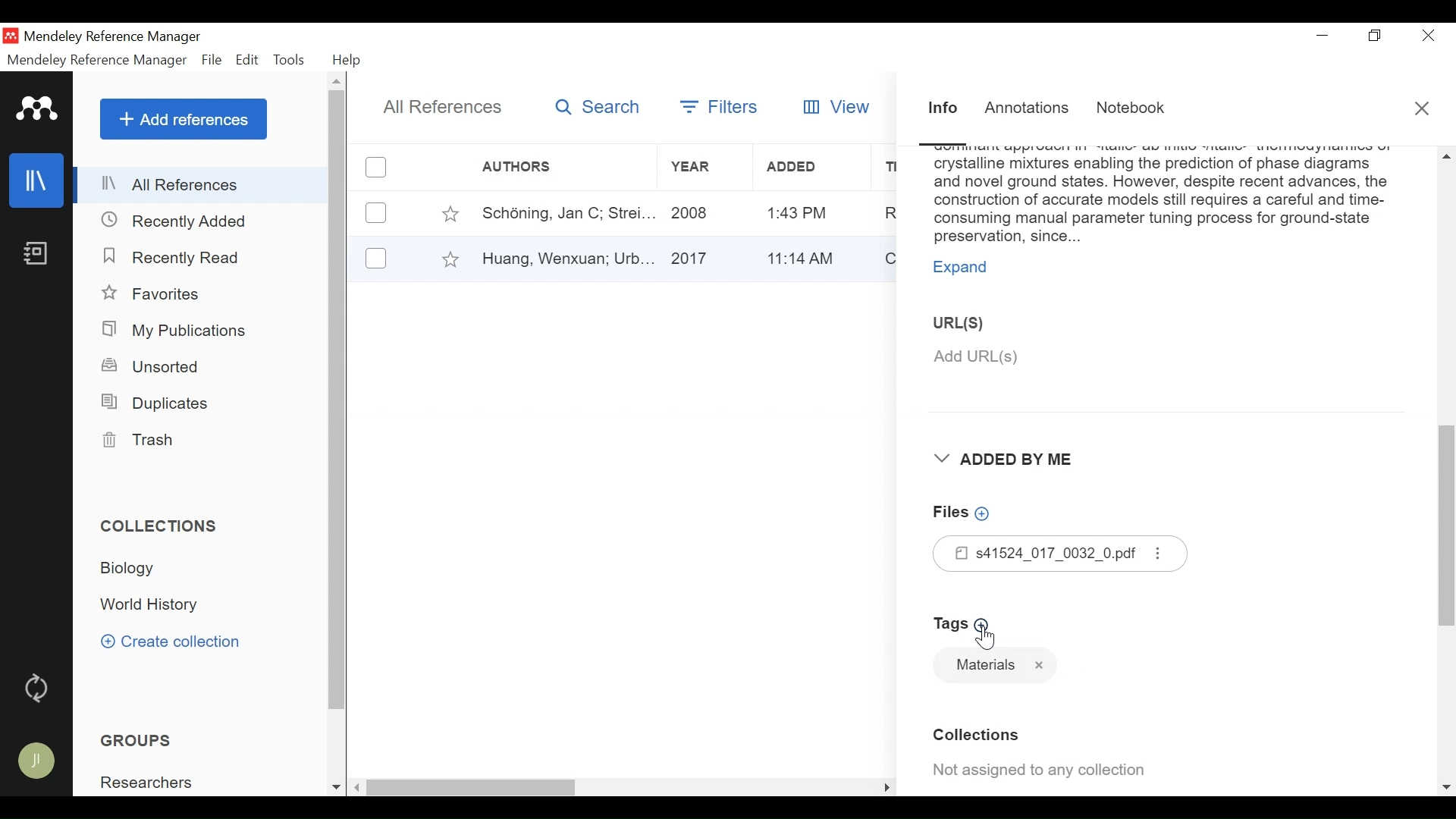 Image resolution: width=1456 pixels, height=819 pixels. What do you see at coordinates (116, 36) in the screenshot?
I see `Mendeley Reference Manager` at bounding box center [116, 36].